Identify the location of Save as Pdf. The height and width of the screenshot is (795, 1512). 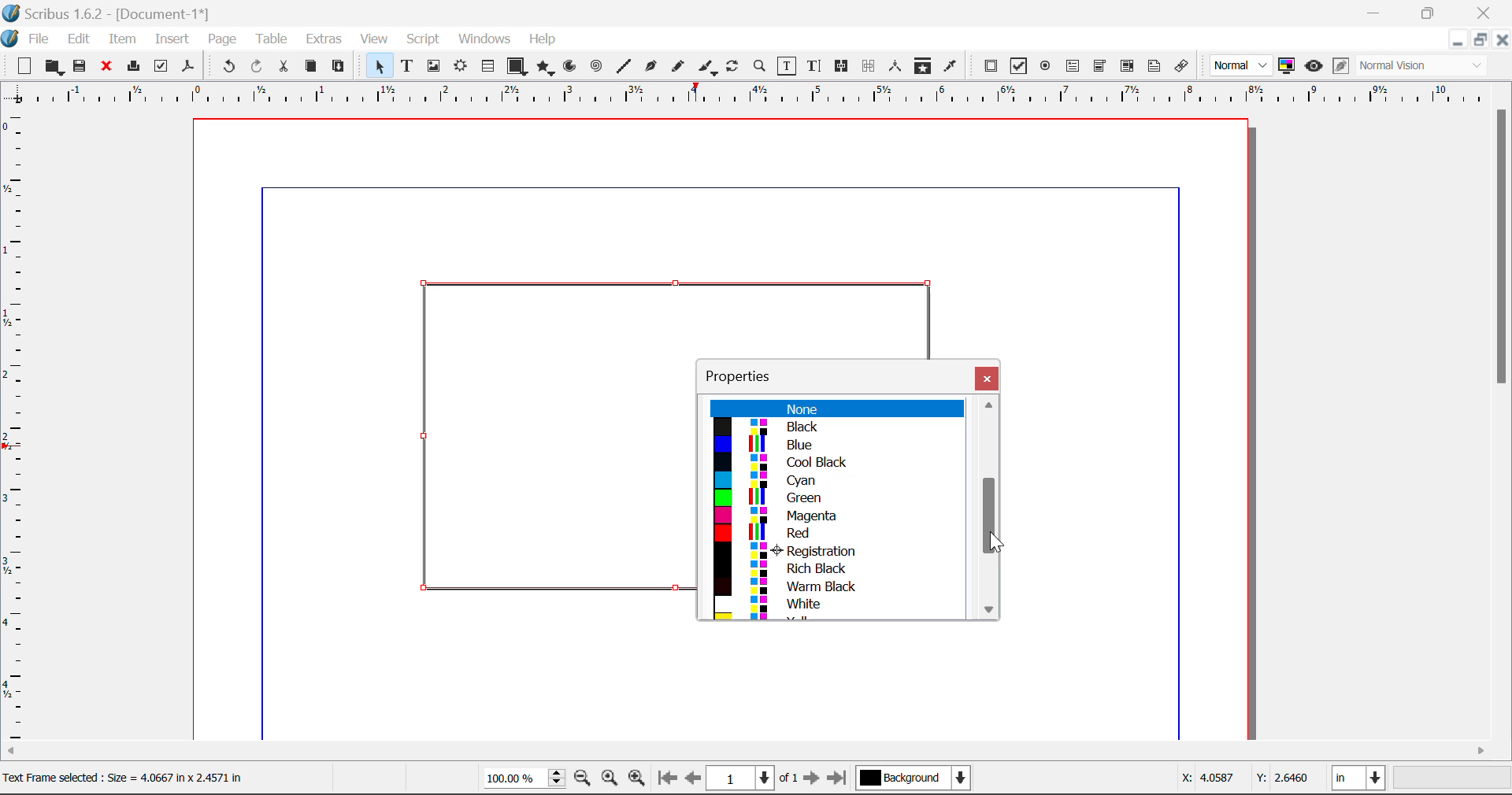
(188, 67).